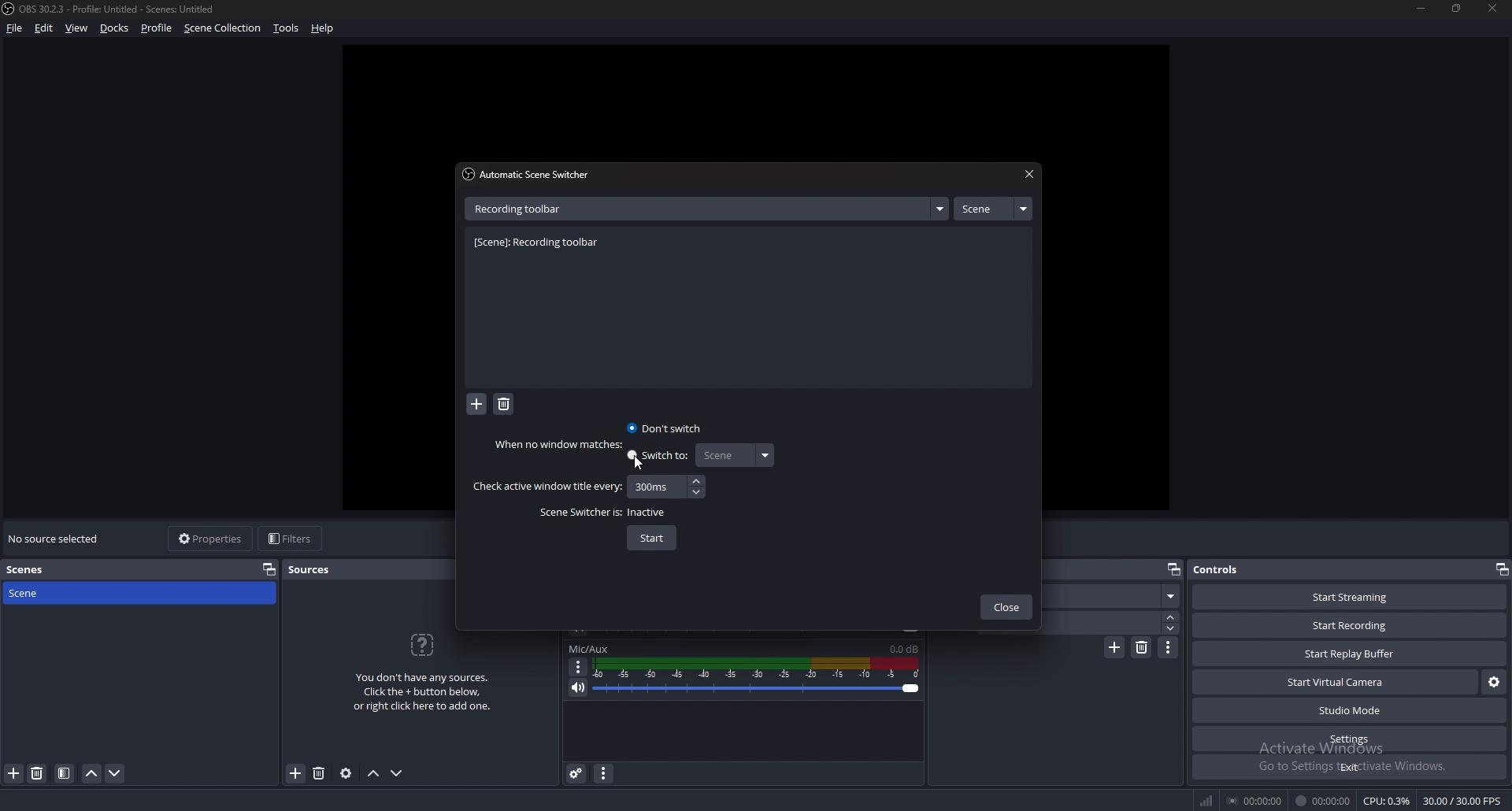 The width and height of the screenshot is (1512, 811). I want to click on cpu, so click(1387, 801).